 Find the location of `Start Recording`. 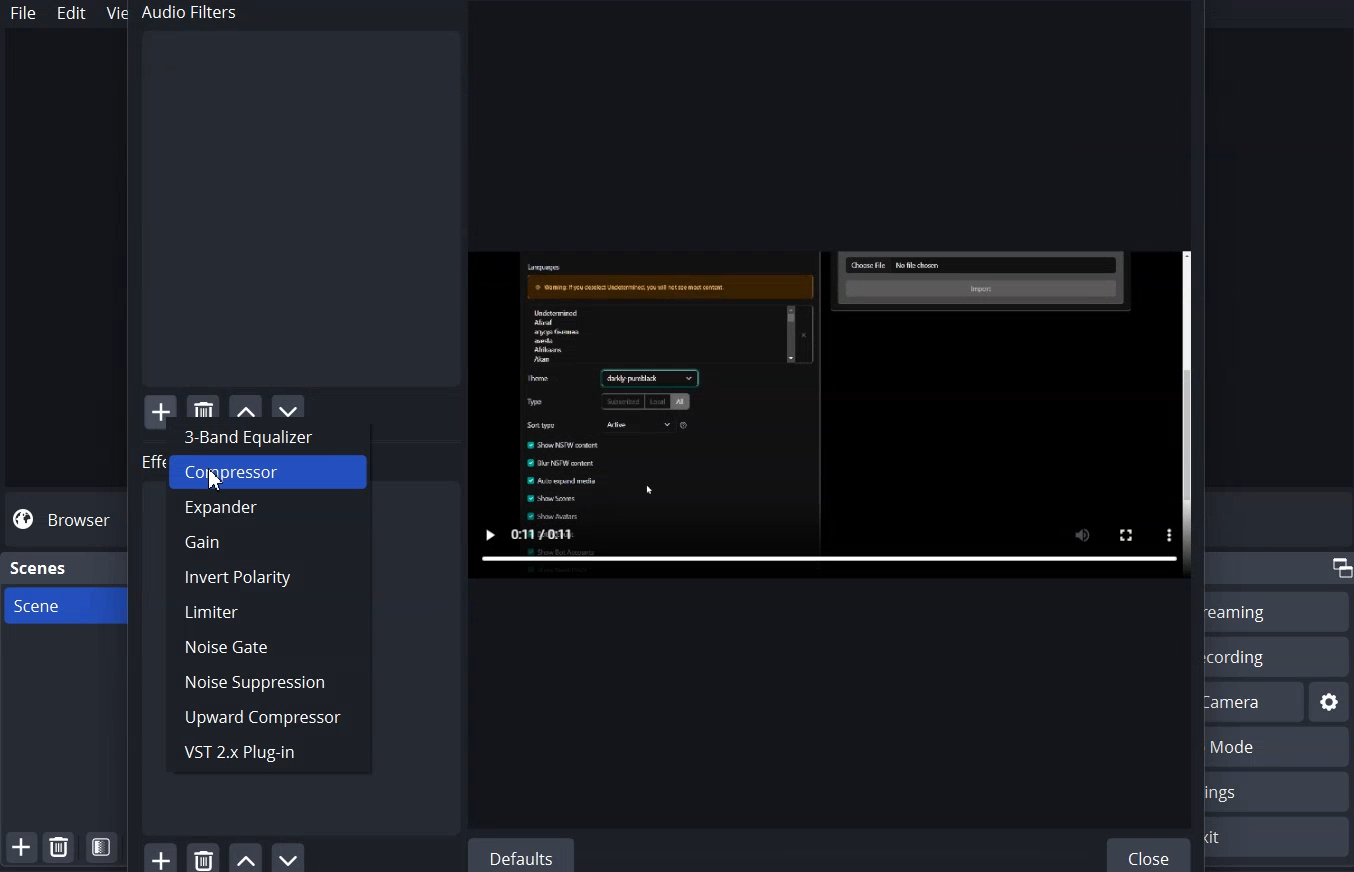

Start Recording is located at coordinates (1275, 656).